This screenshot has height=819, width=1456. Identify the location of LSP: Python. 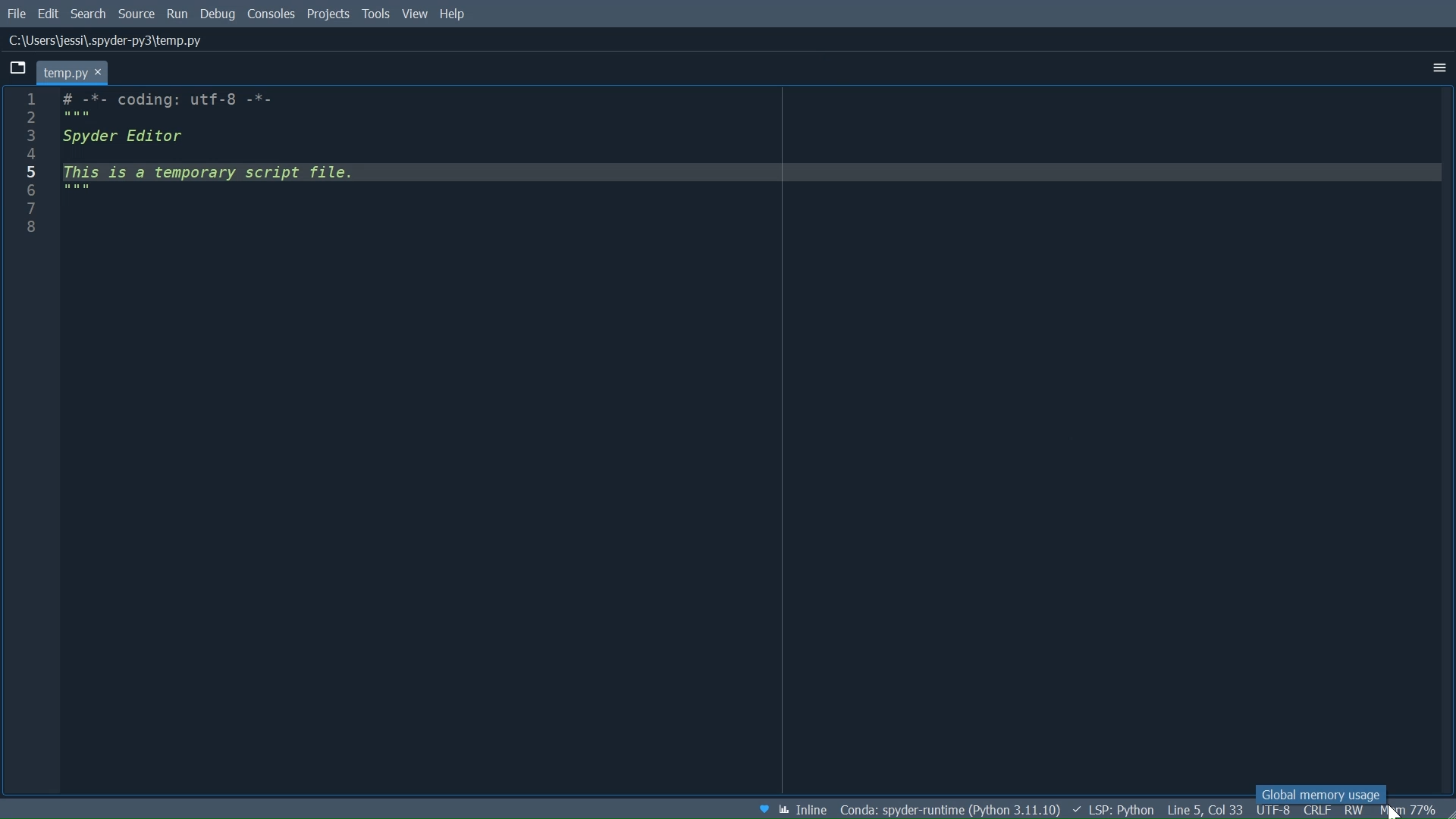
(1112, 810).